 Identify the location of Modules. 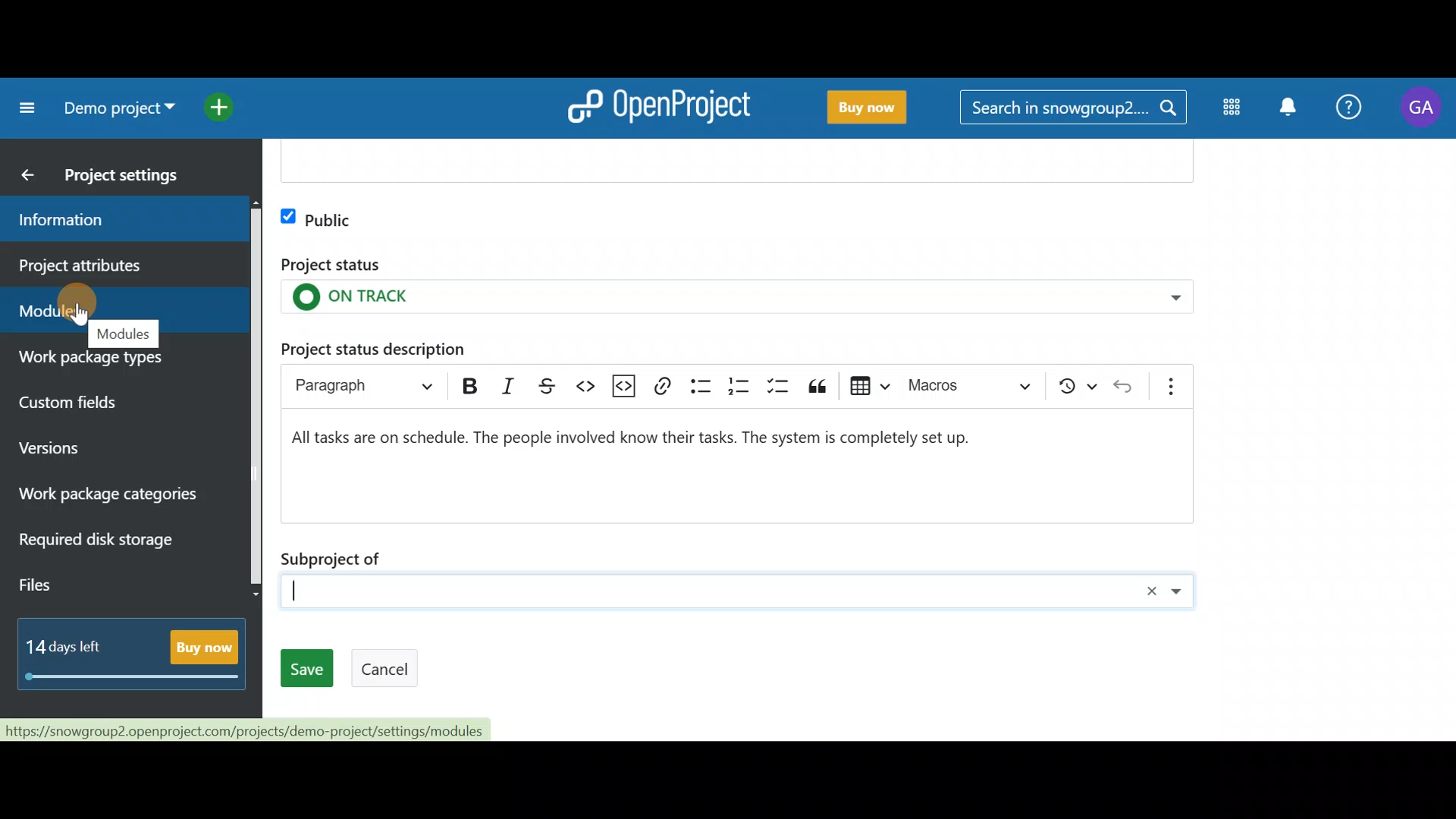
(121, 305).